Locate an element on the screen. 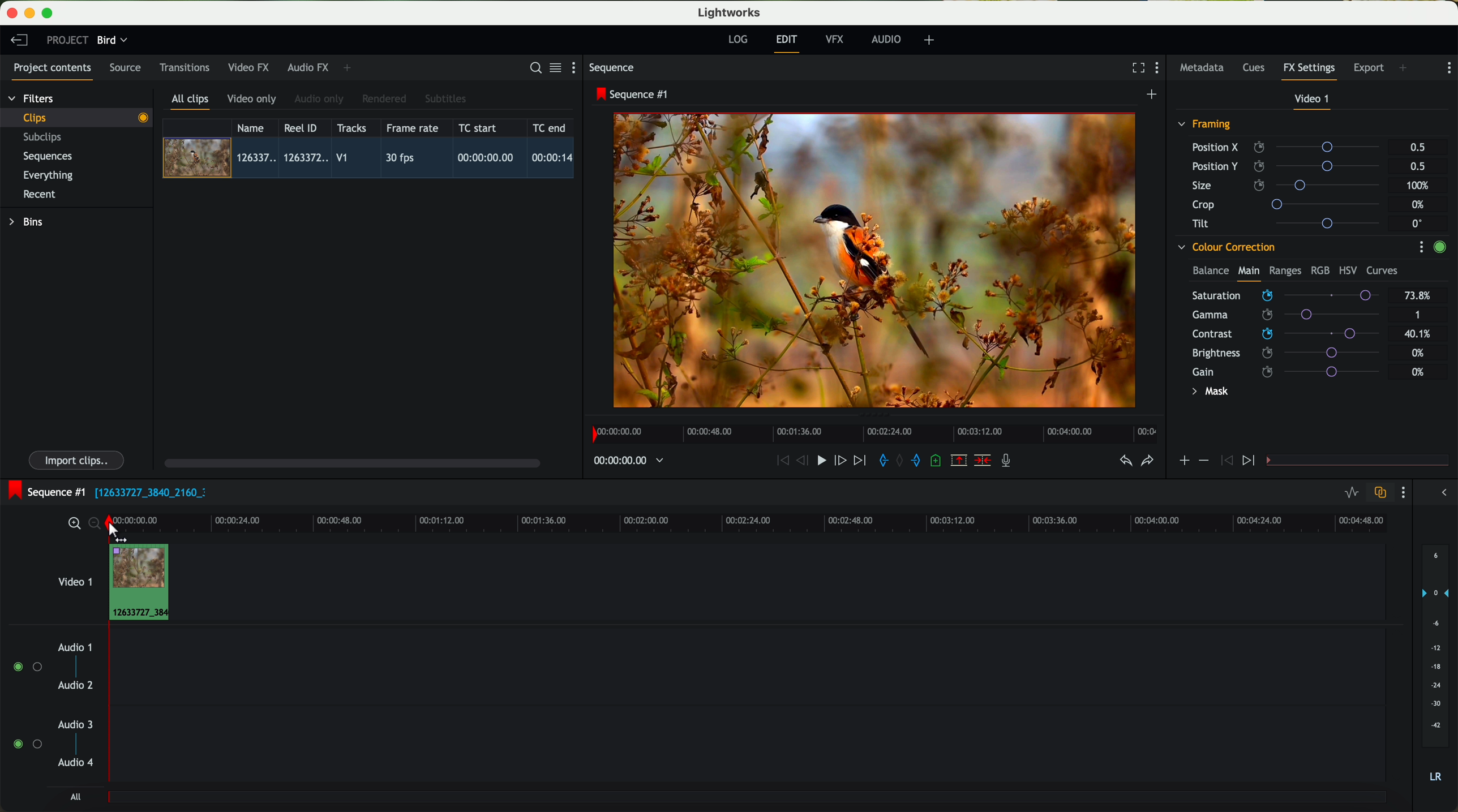 The image size is (1458, 812). video only is located at coordinates (251, 100).